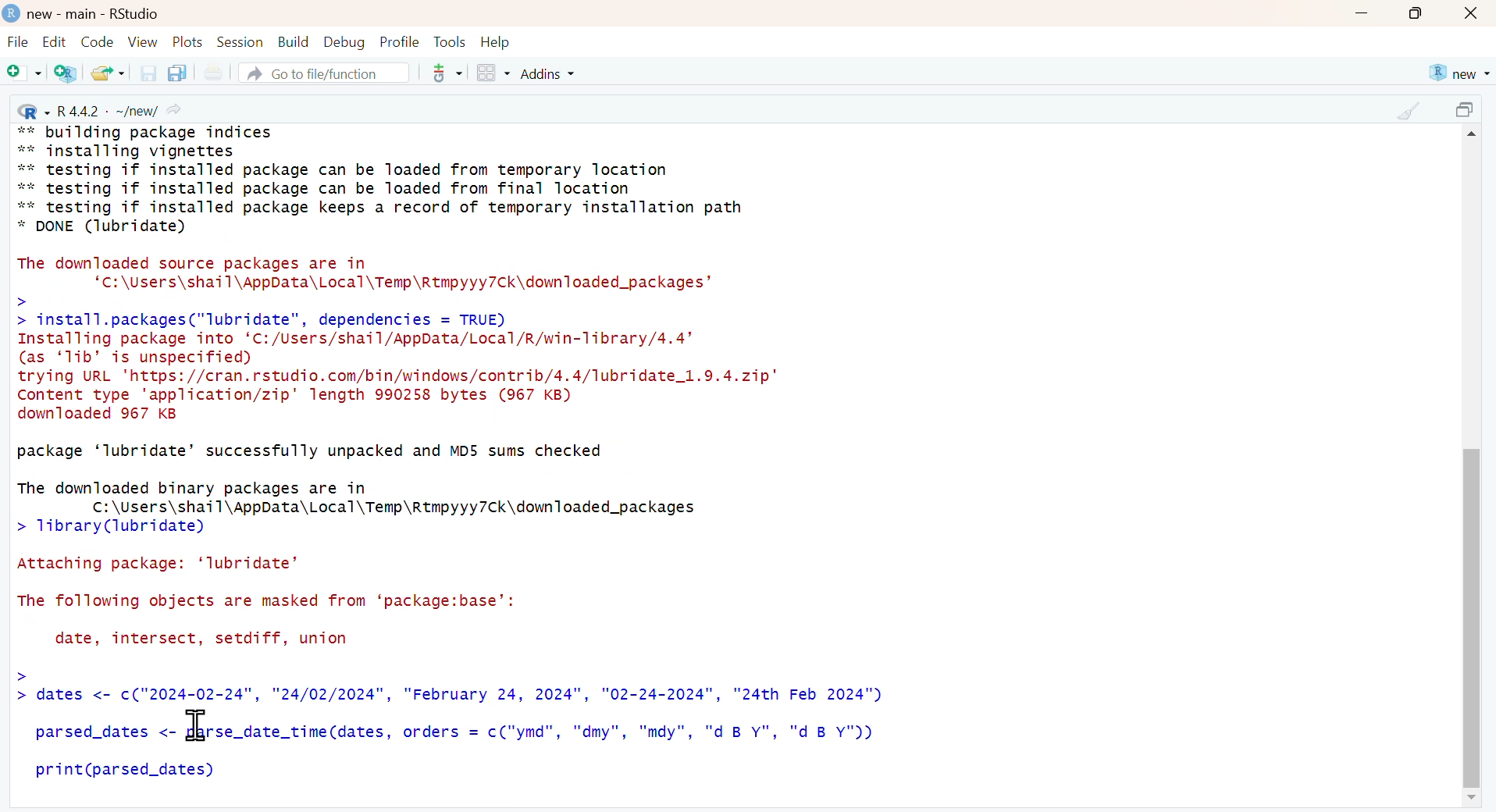 The height and width of the screenshot is (812, 1496). What do you see at coordinates (1471, 598) in the screenshot?
I see `scroll bar` at bounding box center [1471, 598].